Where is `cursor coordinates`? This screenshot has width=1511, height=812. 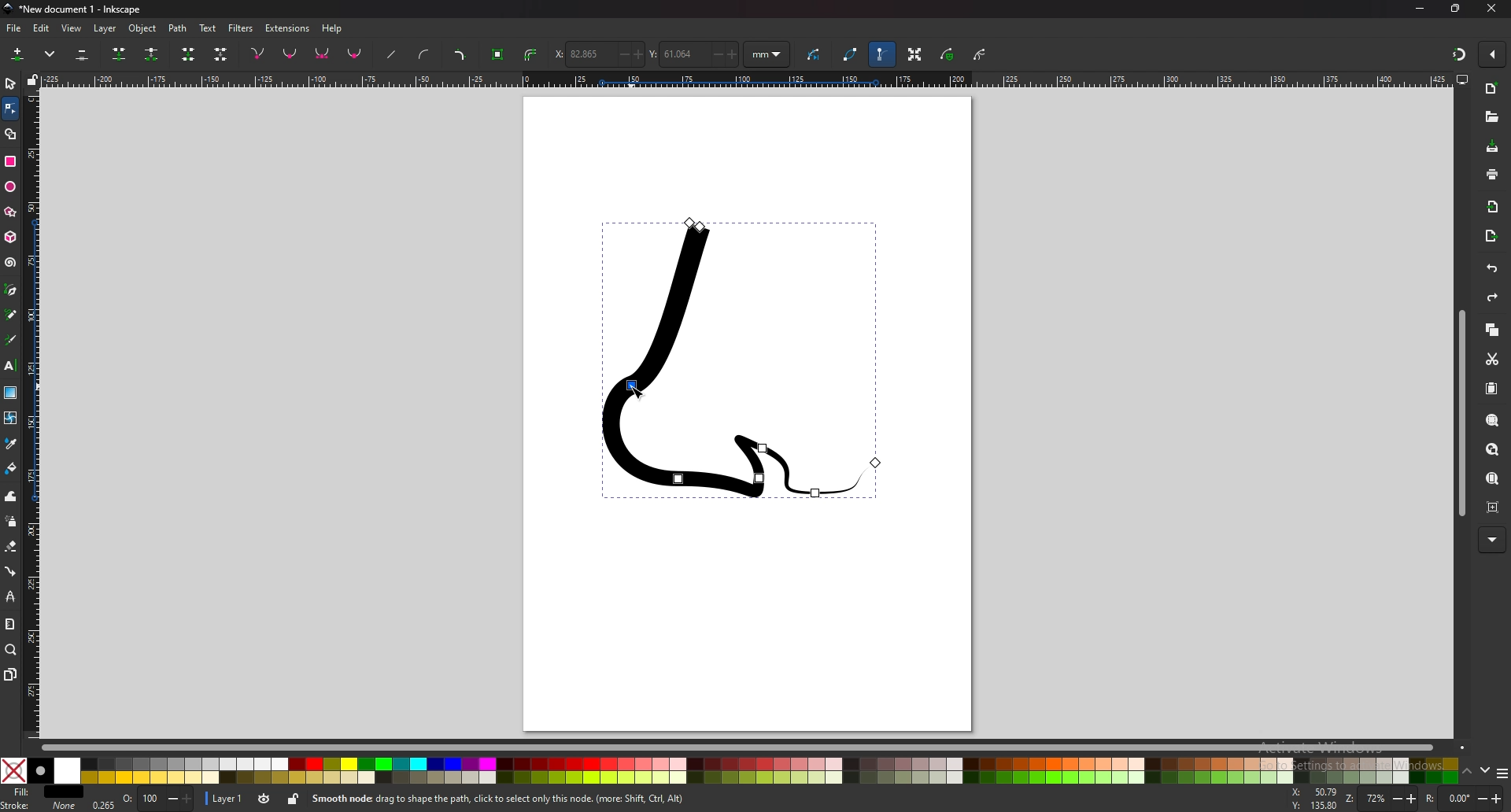 cursor coordinates is located at coordinates (1317, 799).